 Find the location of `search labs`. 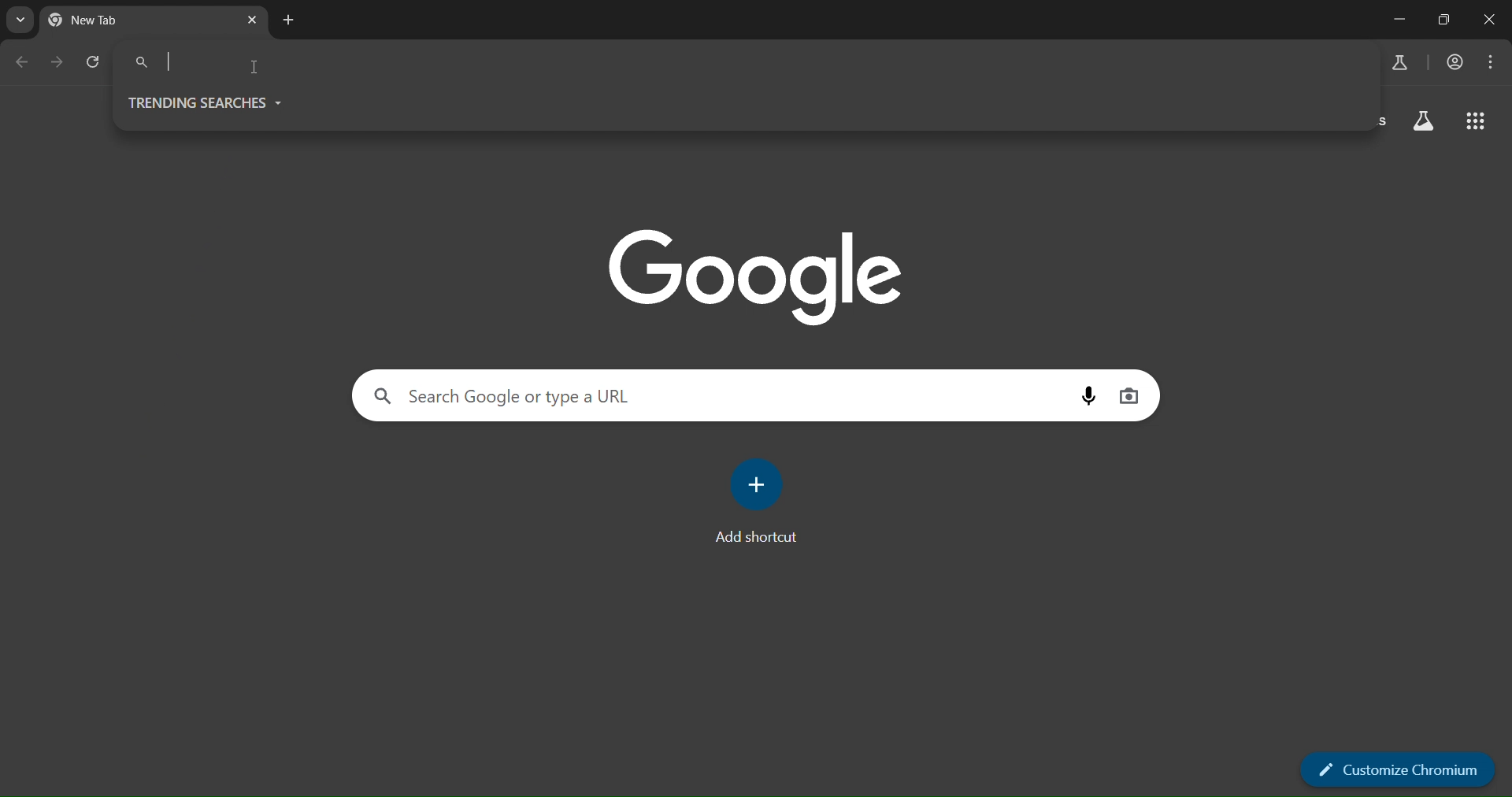

search labs is located at coordinates (1425, 119).